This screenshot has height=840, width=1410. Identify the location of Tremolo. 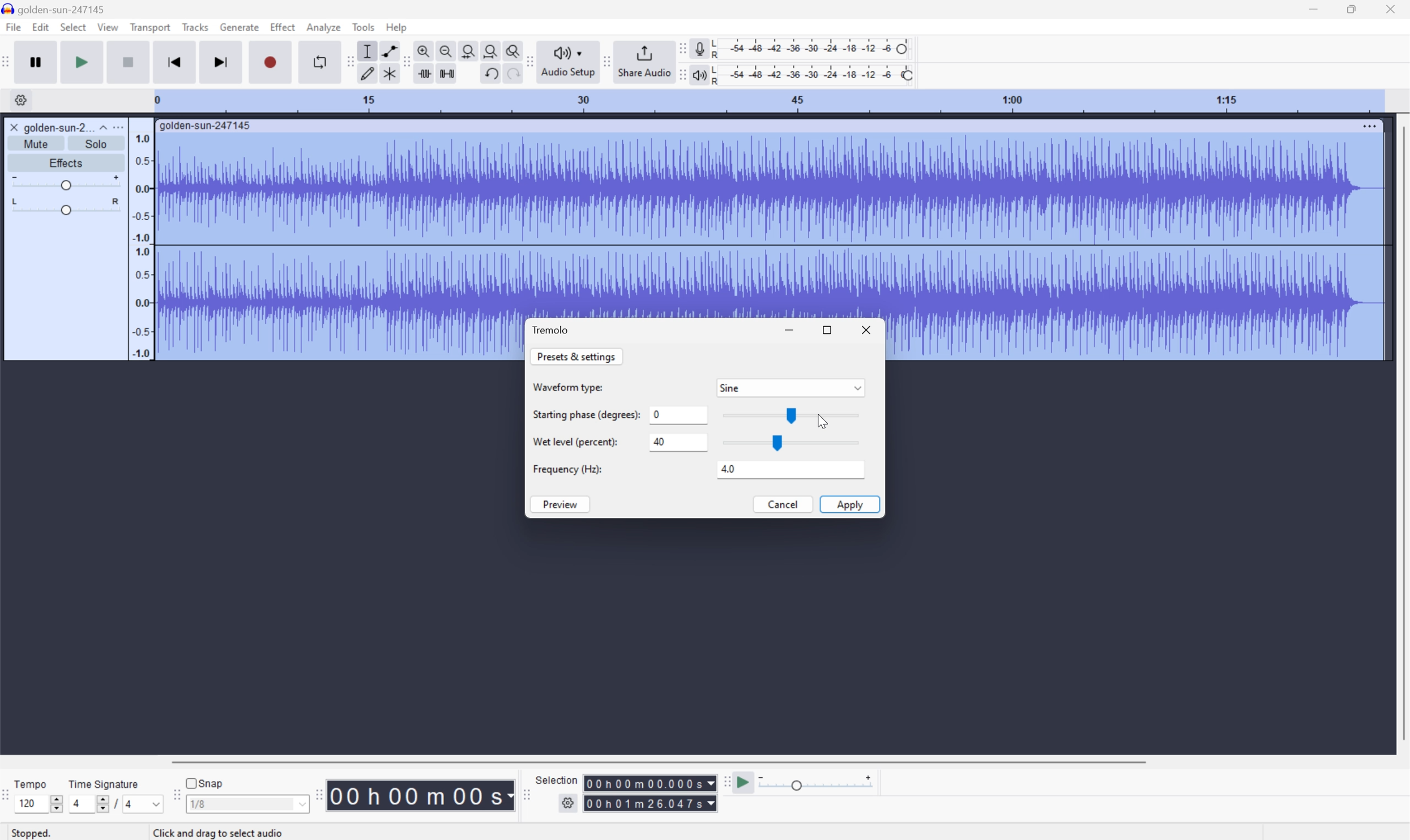
(551, 328).